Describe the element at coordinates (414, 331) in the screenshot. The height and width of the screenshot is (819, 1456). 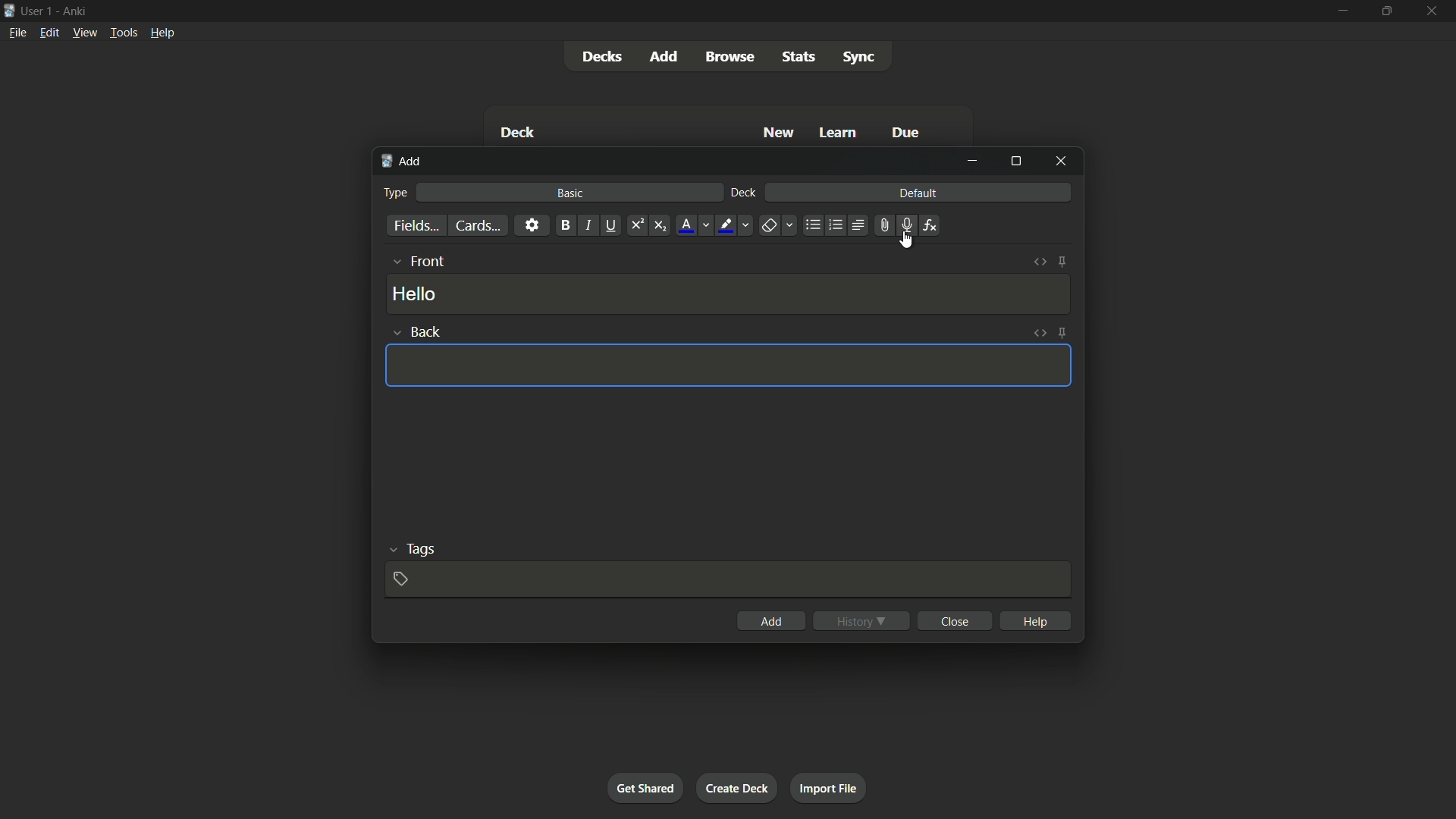
I see `back` at that location.